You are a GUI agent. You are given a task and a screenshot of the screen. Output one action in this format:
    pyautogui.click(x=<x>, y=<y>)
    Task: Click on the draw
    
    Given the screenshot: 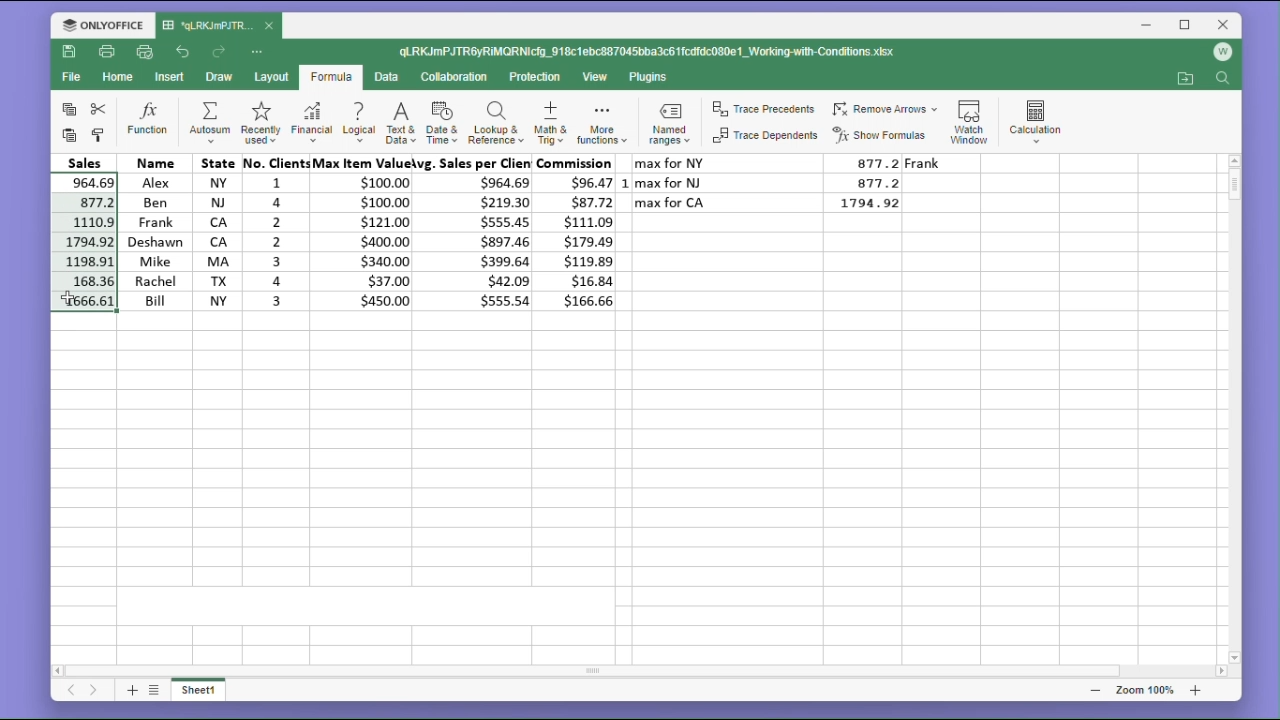 What is the action you would take?
    pyautogui.click(x=219, y=78)
    